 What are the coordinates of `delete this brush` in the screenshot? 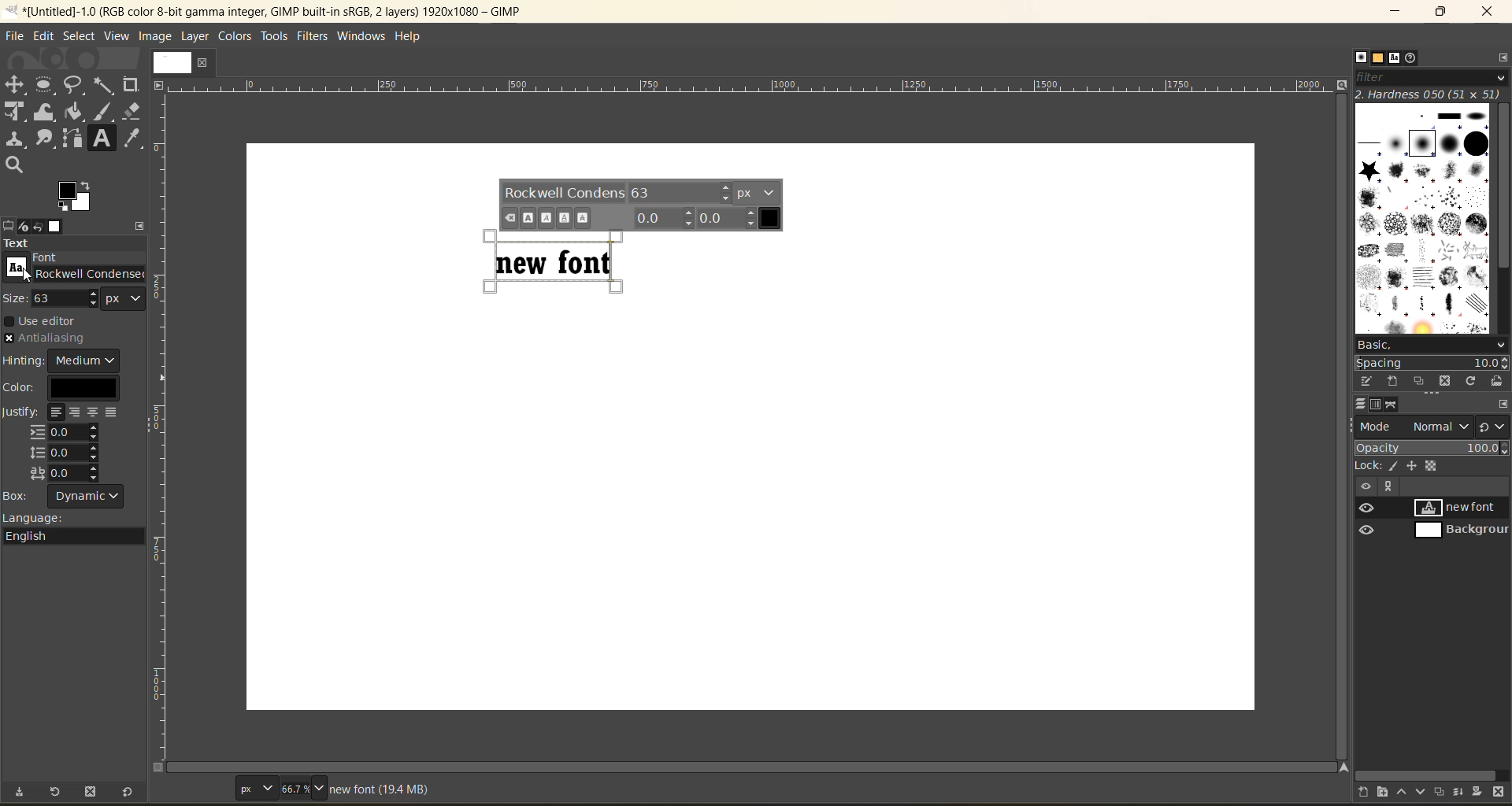 It's located at (1444, 383).